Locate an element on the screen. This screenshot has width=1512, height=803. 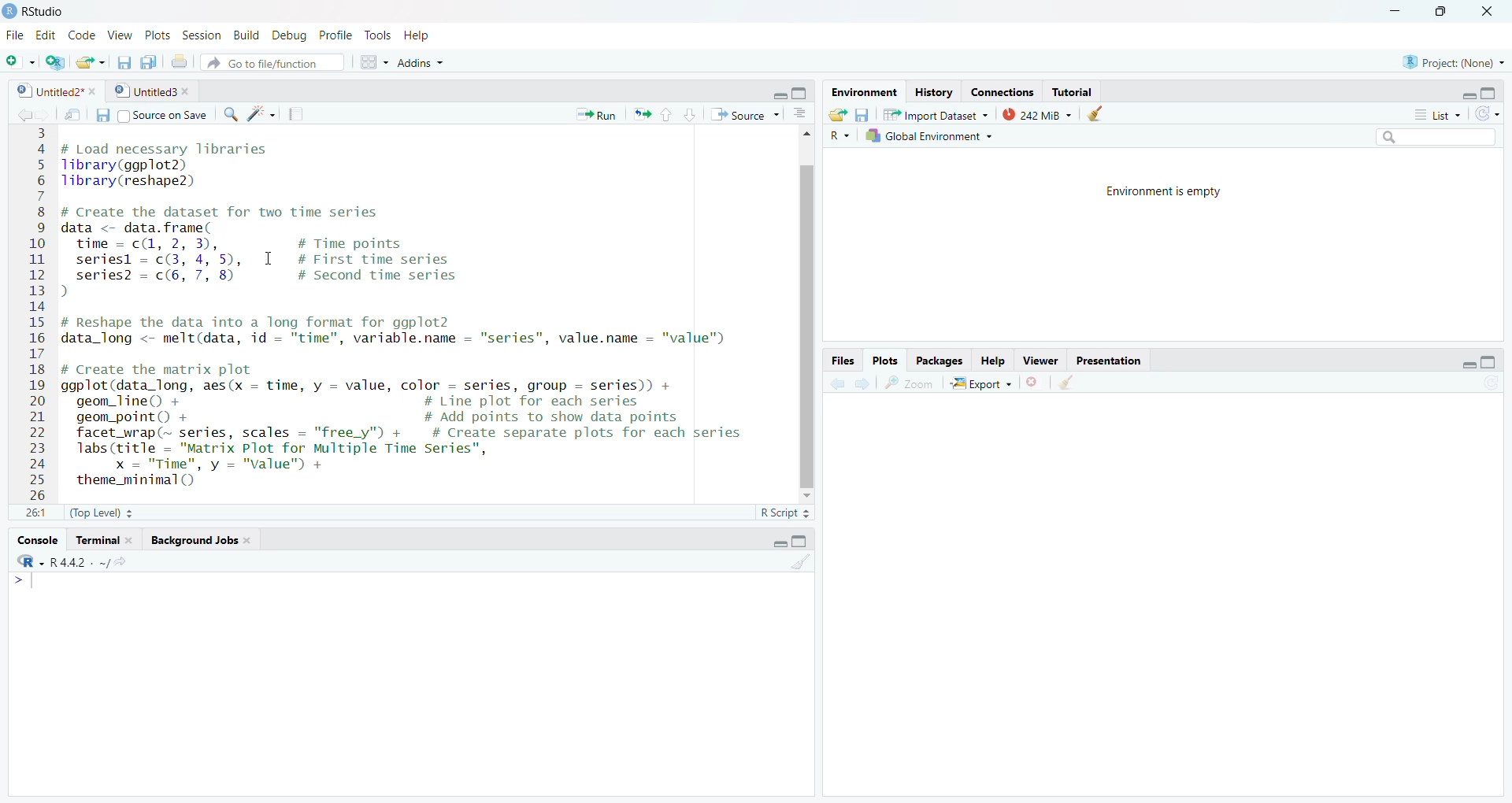
show in window is located at coordinates (75, 114).